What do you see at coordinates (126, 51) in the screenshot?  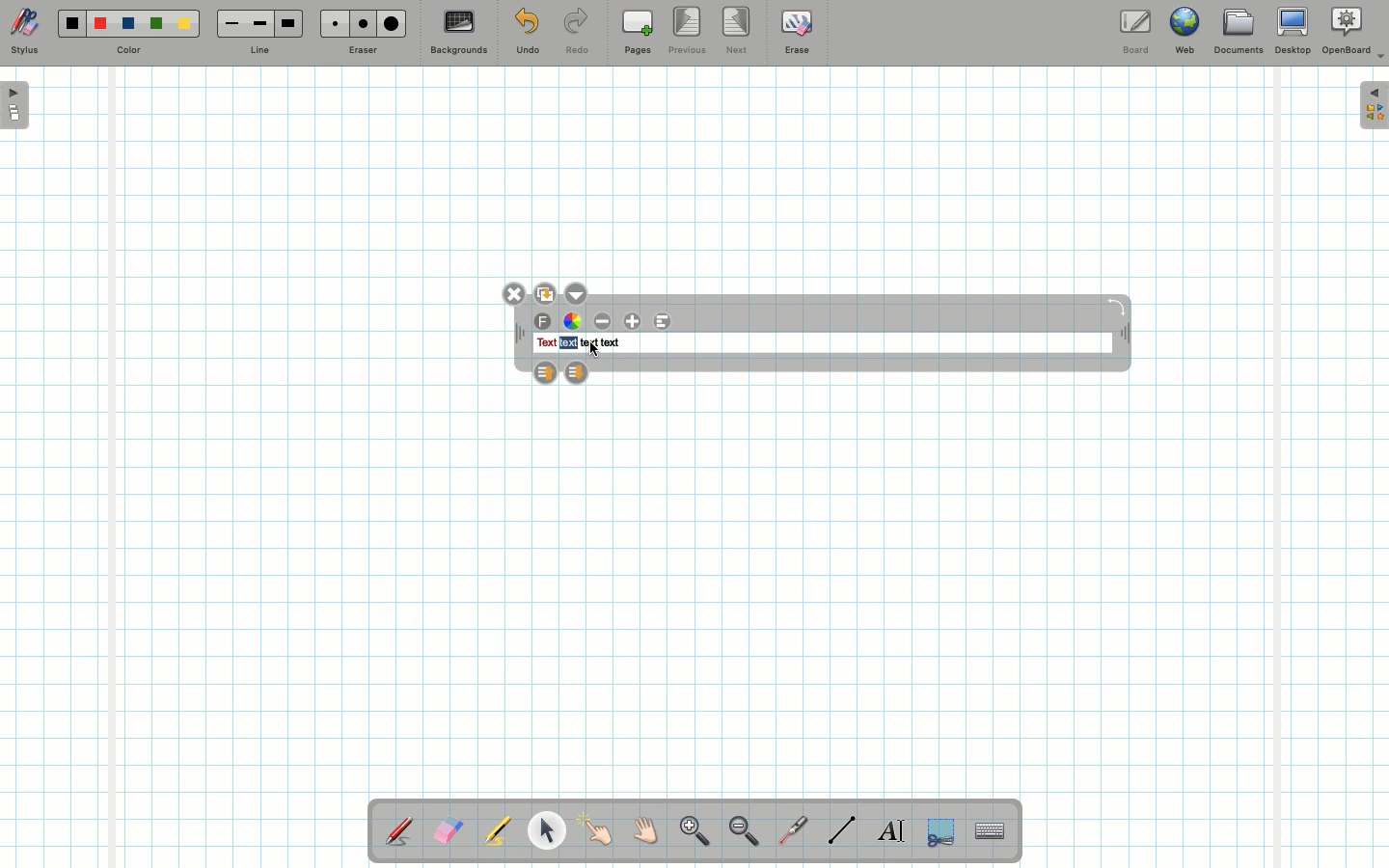 I see `Color` at bounding box center [126, 51].